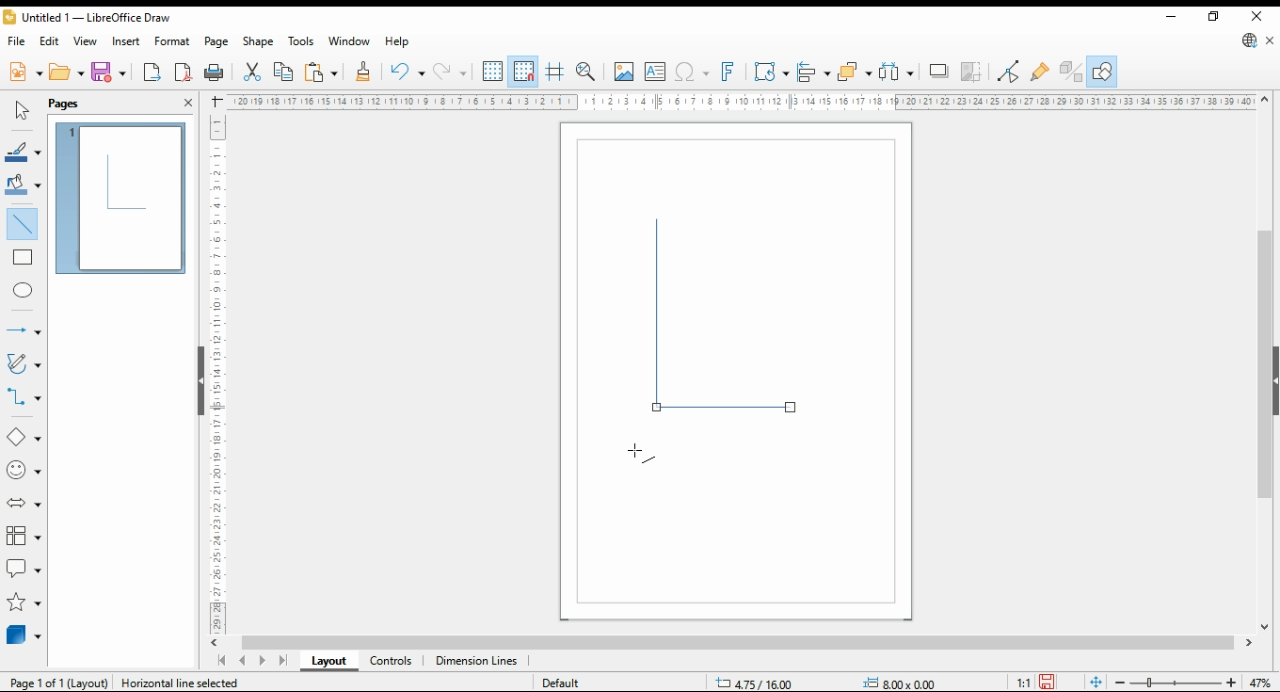 The height and width of the screenshot is (692, 1280). I want to click on basic shapes, so click(22, 437).